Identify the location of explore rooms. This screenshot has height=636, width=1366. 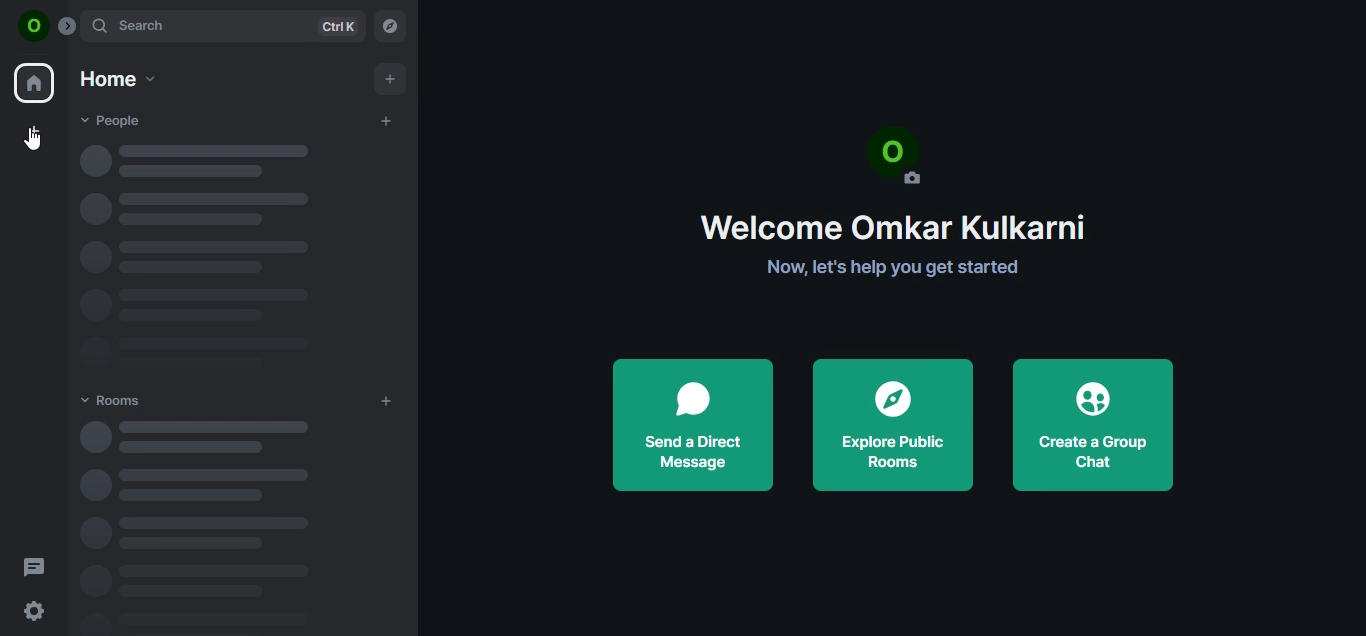
(388, 25).